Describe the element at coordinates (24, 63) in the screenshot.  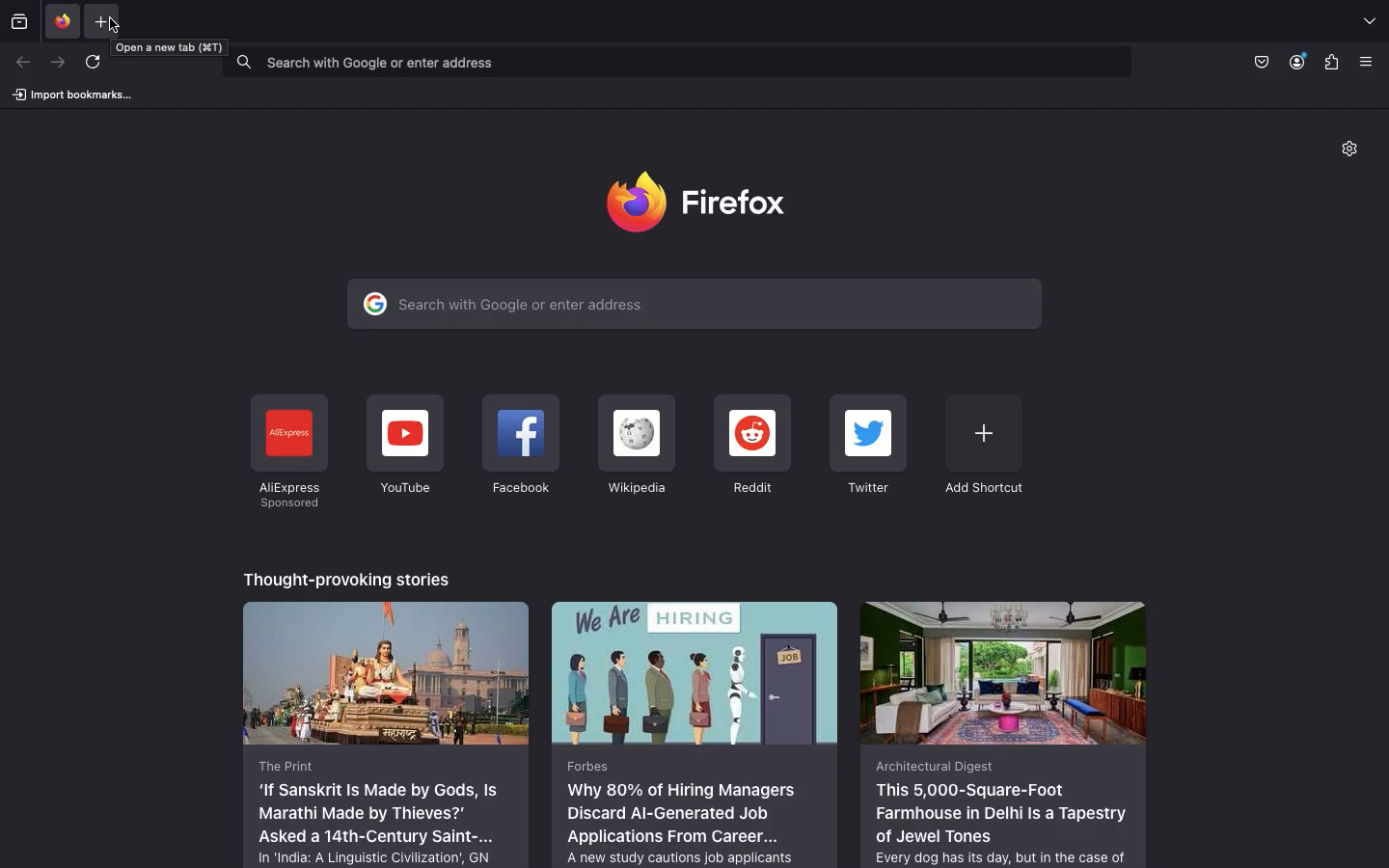
I see `Previous page` at that location.